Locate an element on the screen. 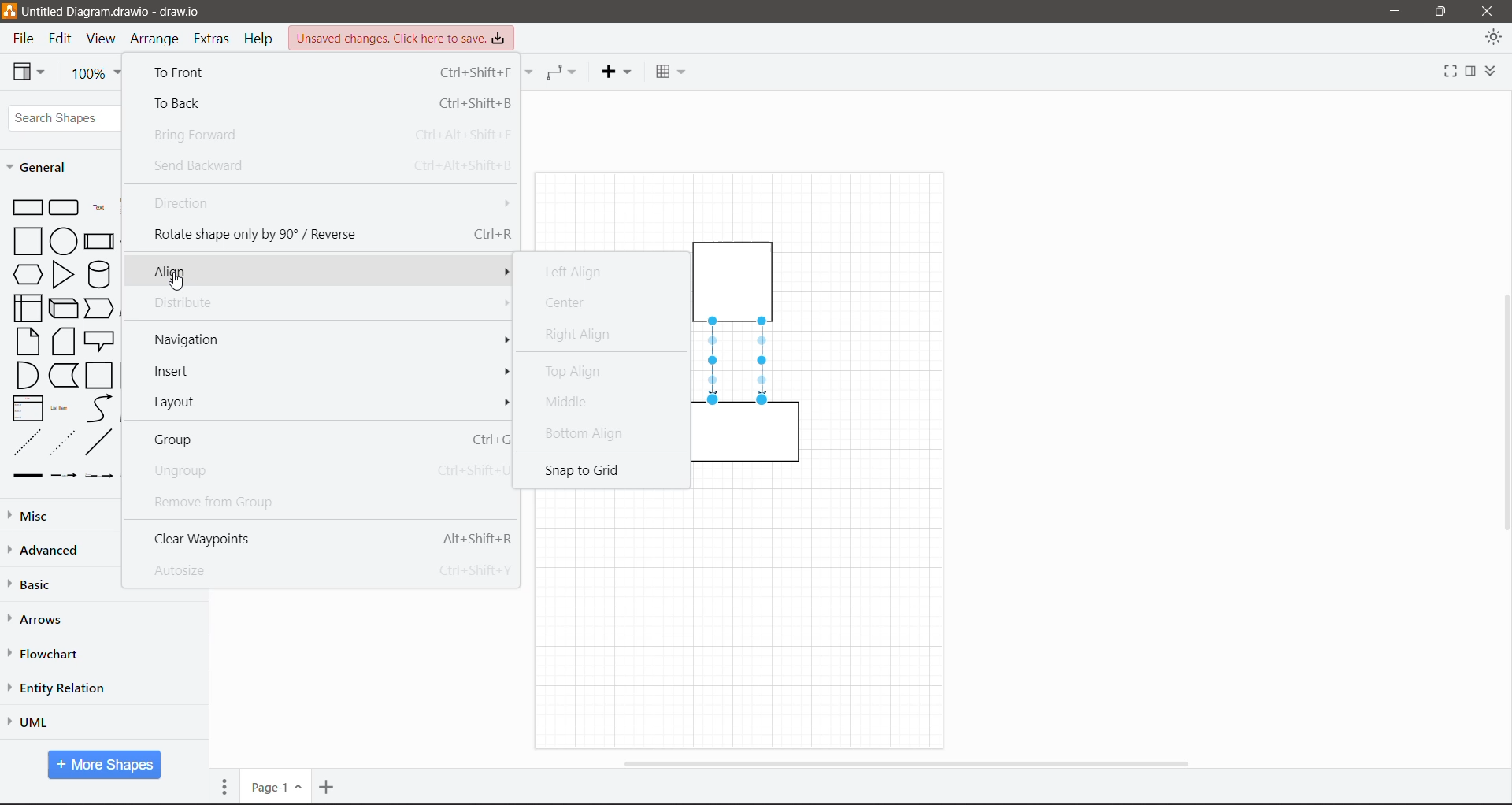 Image resolution: width=1512 pixels, height=805 pixels. connector with 2 labels is located at coordinates (99, 476).